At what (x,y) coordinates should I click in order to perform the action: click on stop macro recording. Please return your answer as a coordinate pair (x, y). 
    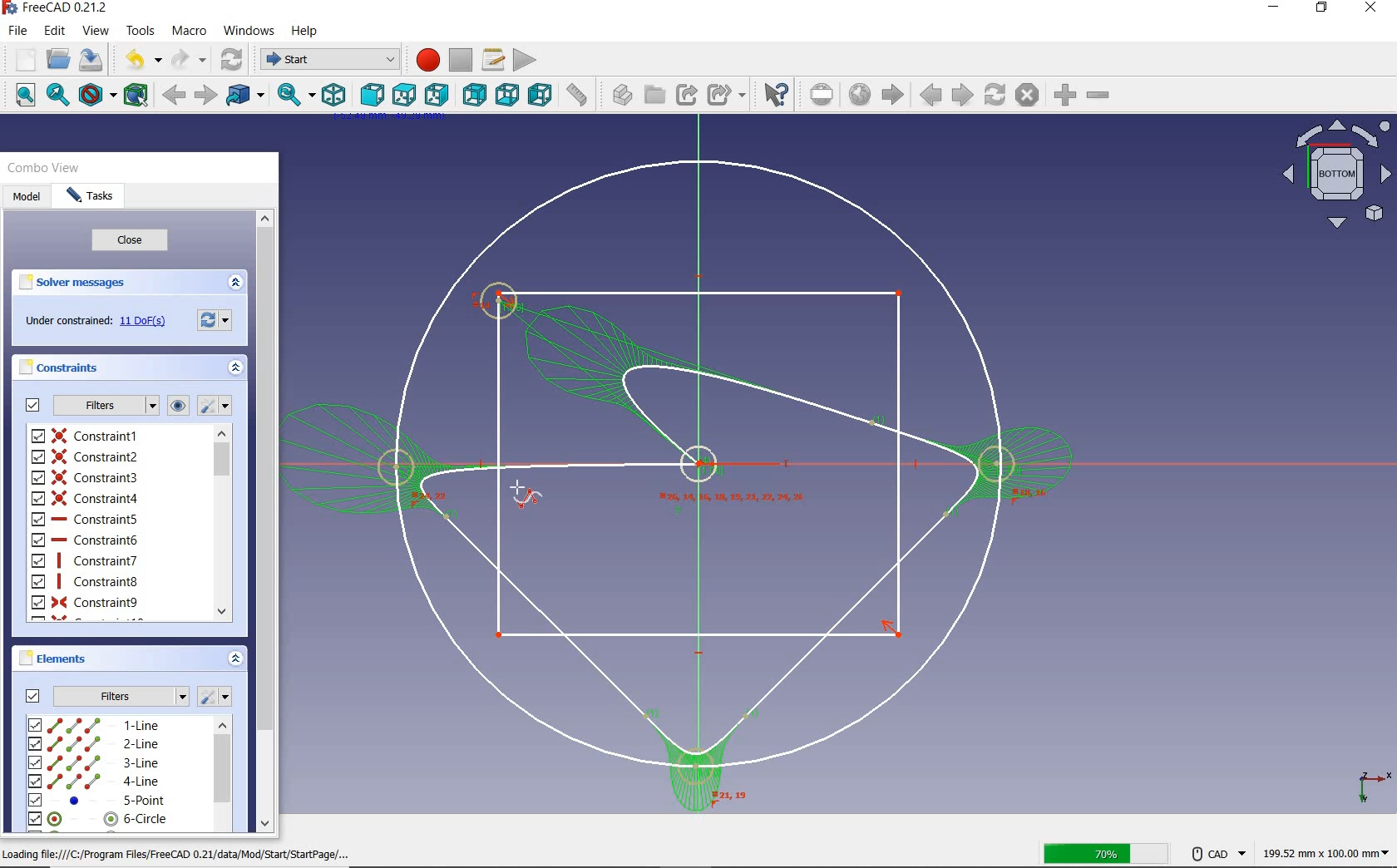
    Looking at the image, I should click on (461, 60).